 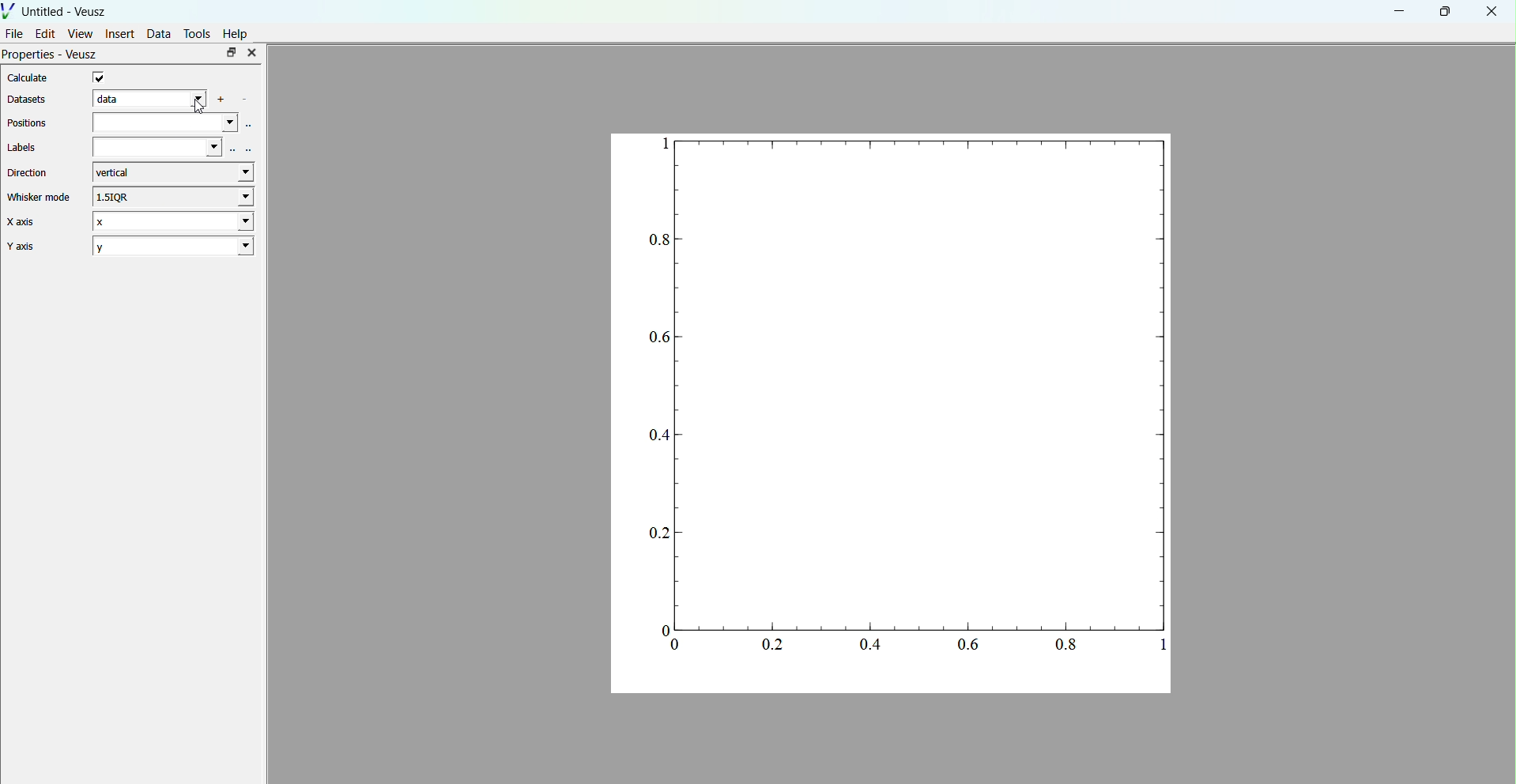 I want to click on Y axis, so click(x=36, y=247).